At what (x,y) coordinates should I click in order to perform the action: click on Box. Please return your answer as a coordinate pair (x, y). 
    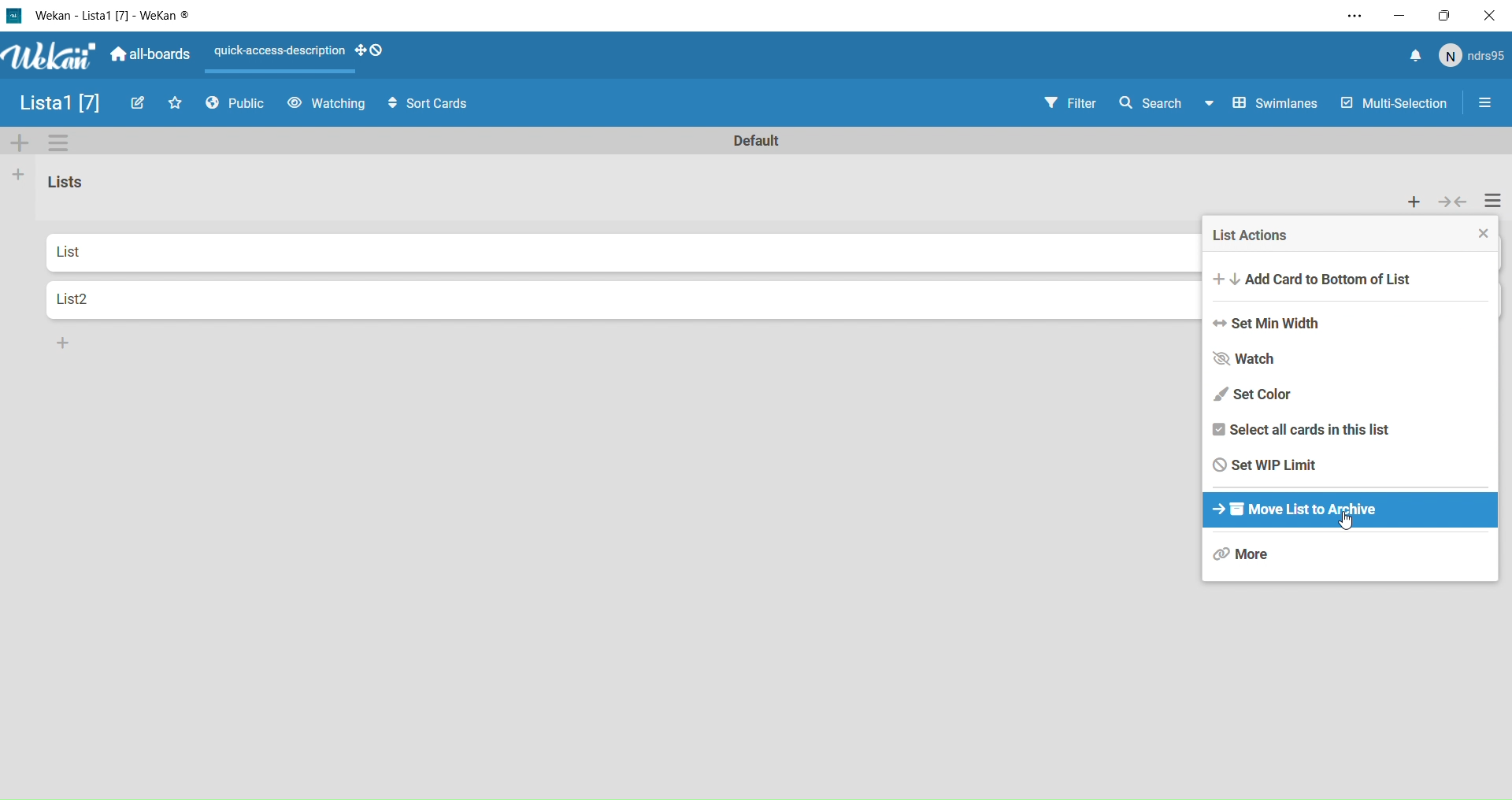
    Looking at the image, I should click on (1443, 15).